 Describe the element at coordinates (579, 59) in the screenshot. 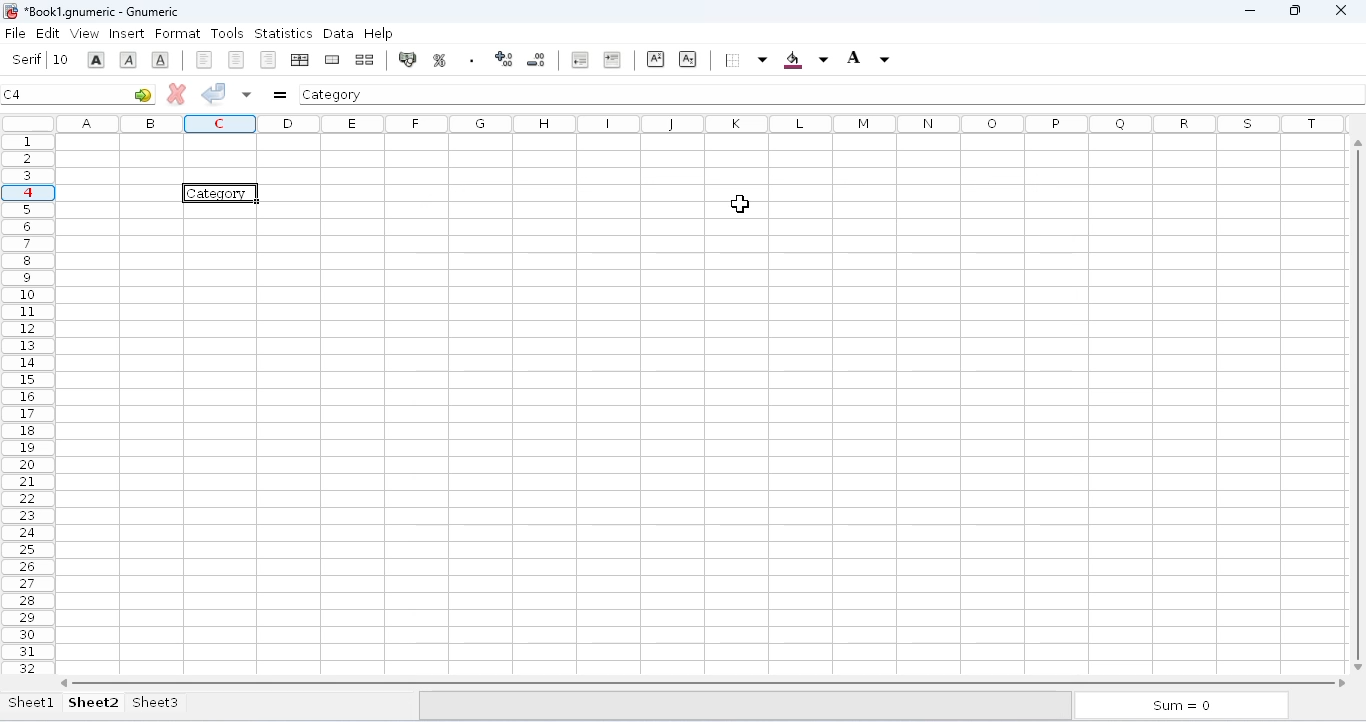

I see `decrease the number of decimals displayed` at that location.